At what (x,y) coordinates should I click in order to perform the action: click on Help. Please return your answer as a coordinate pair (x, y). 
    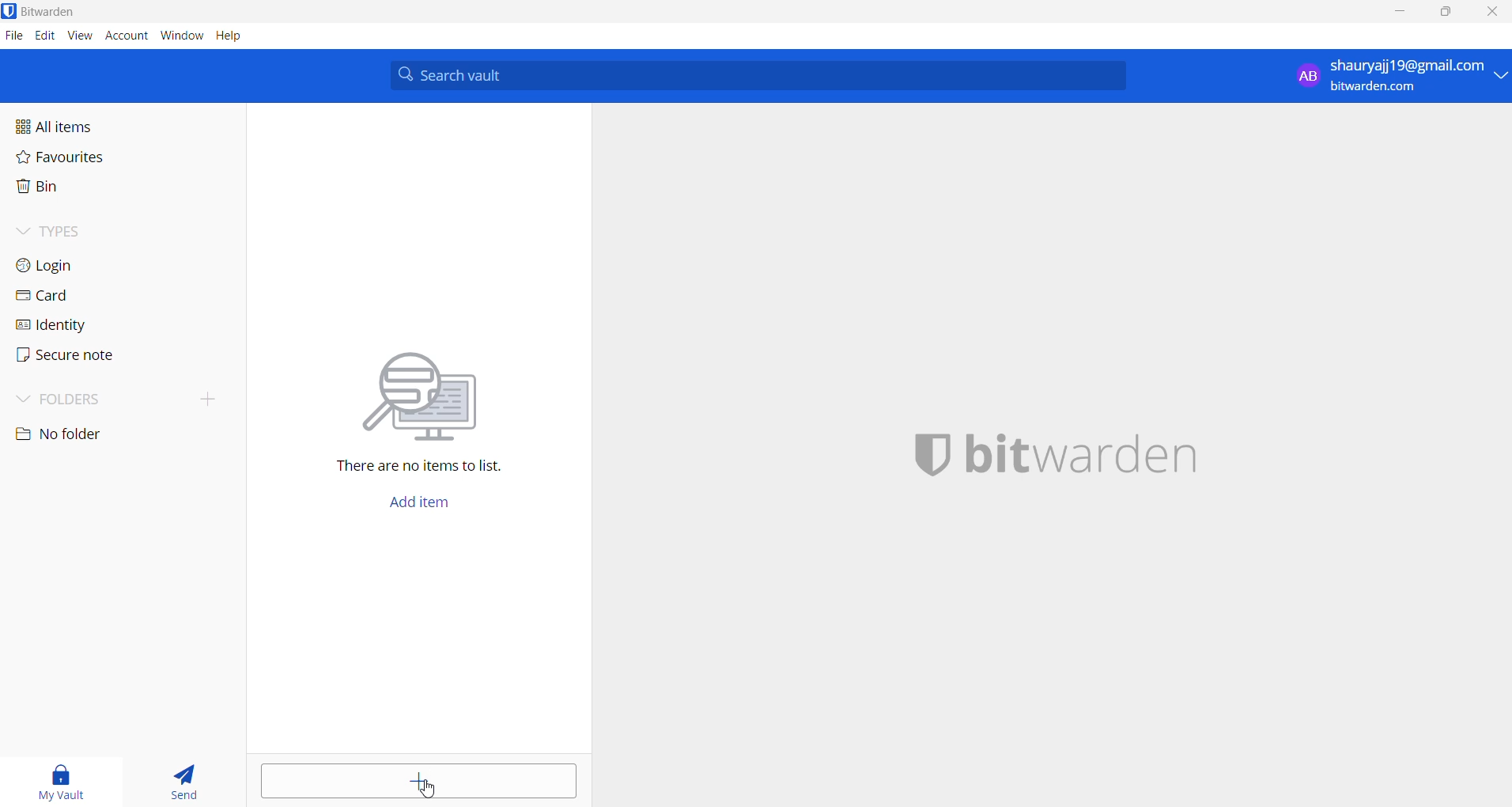
    Looking at the image, I should click on (238, 37).